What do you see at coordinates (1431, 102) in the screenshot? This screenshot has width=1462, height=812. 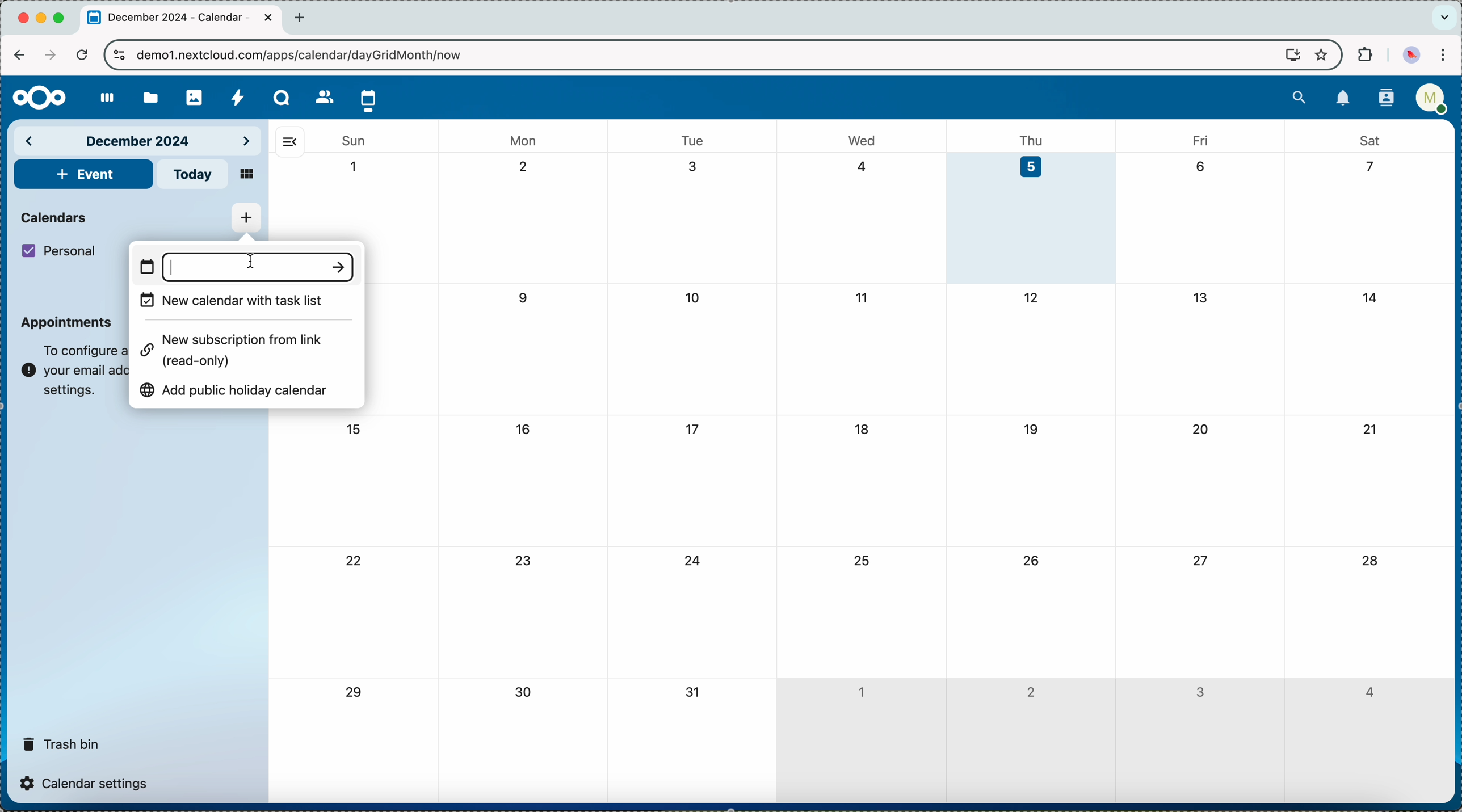 I see `user profile` at bounding box center [1431, 102].